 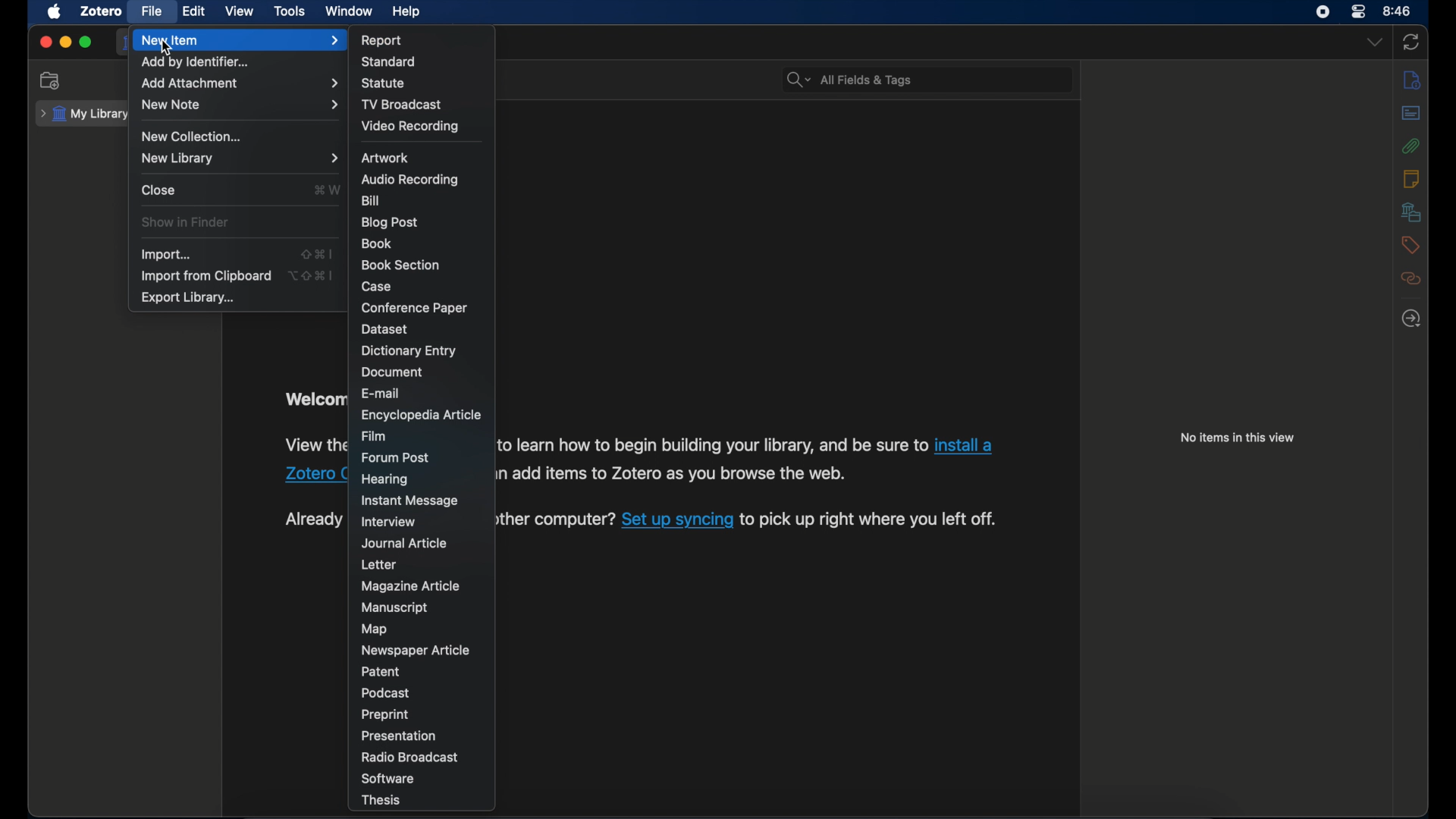 I want to click on shortcut, so click(x=314, y=275).